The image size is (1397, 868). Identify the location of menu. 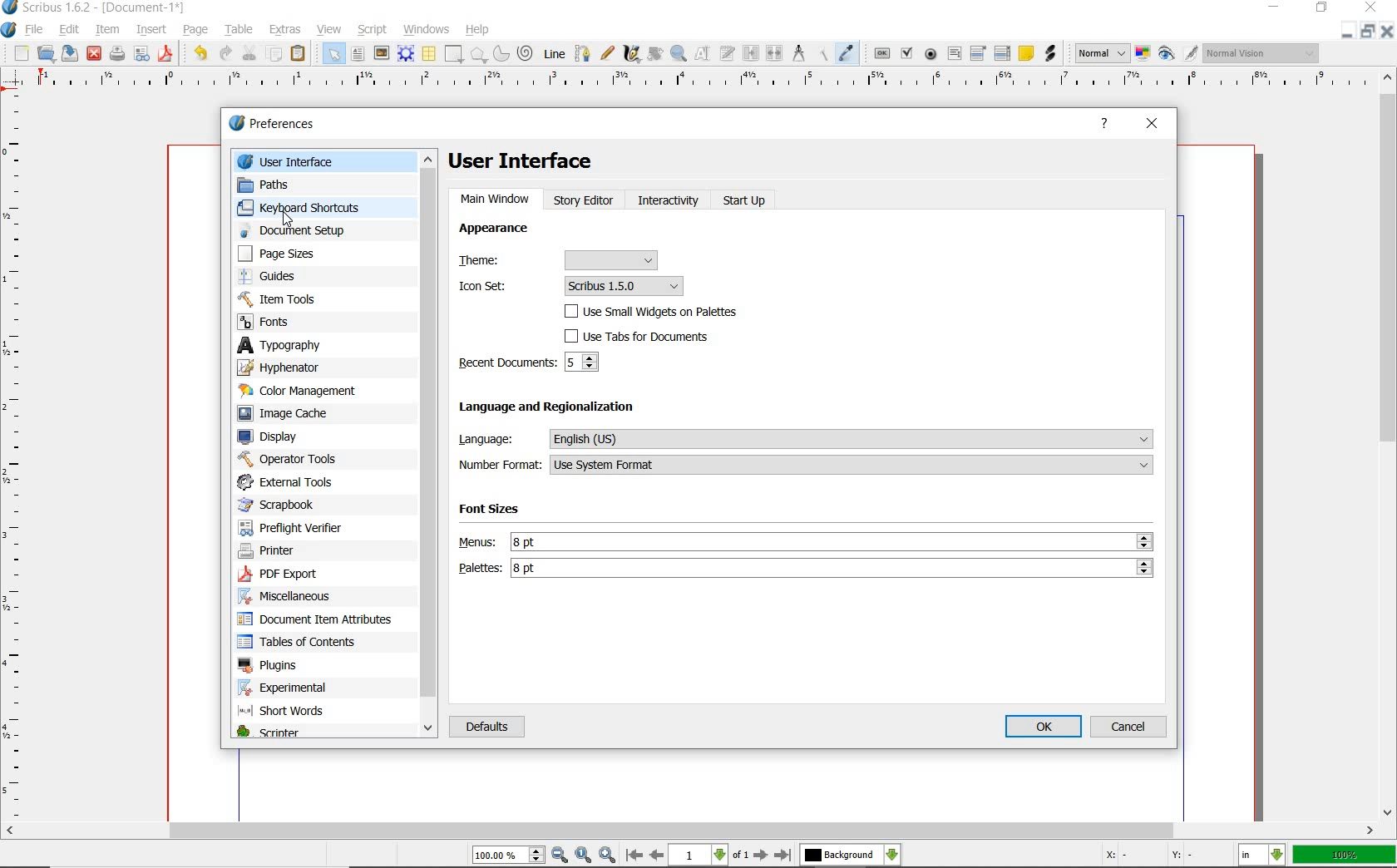
(807, 541).